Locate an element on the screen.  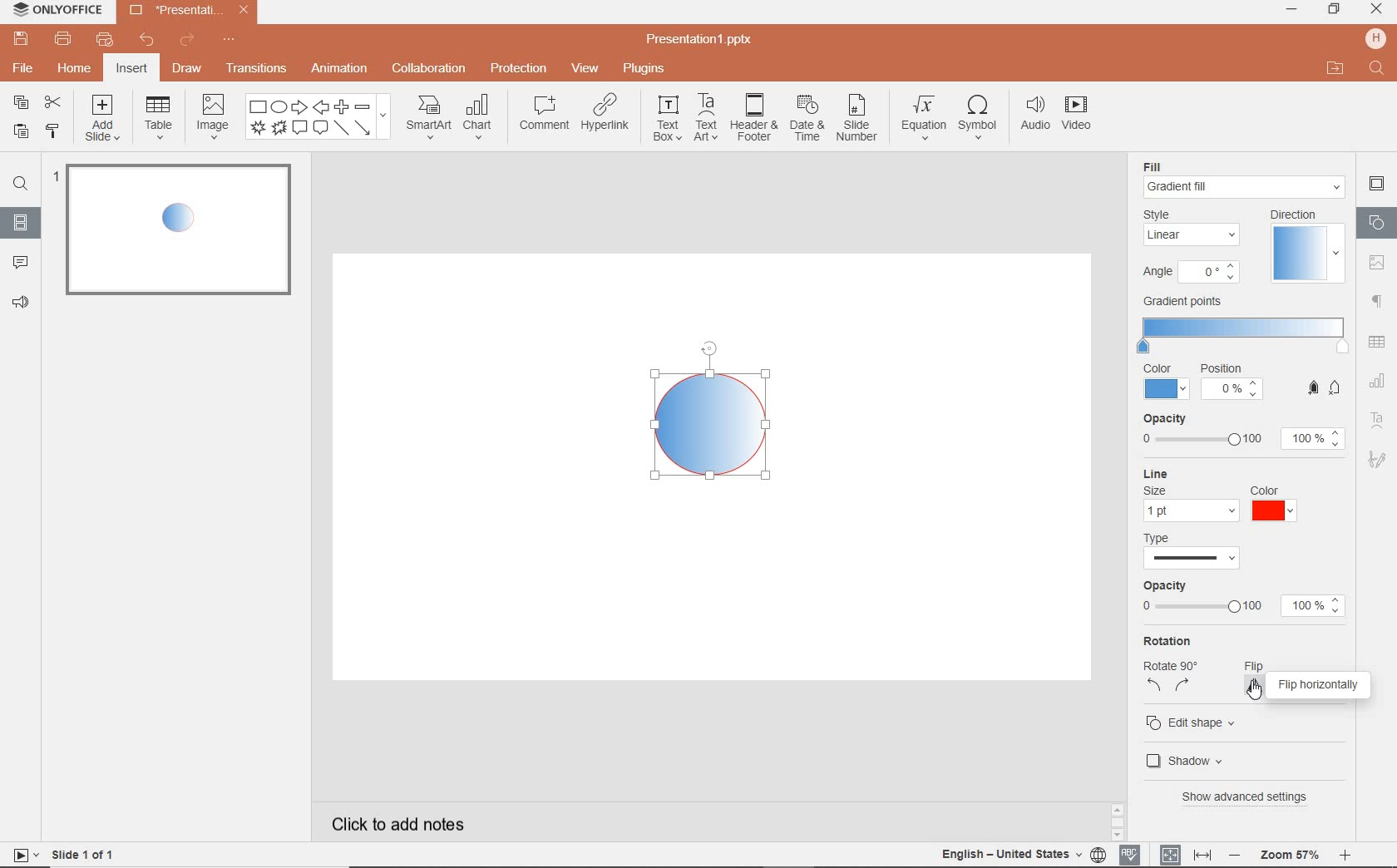
draw is located at coordinates (187, 72).